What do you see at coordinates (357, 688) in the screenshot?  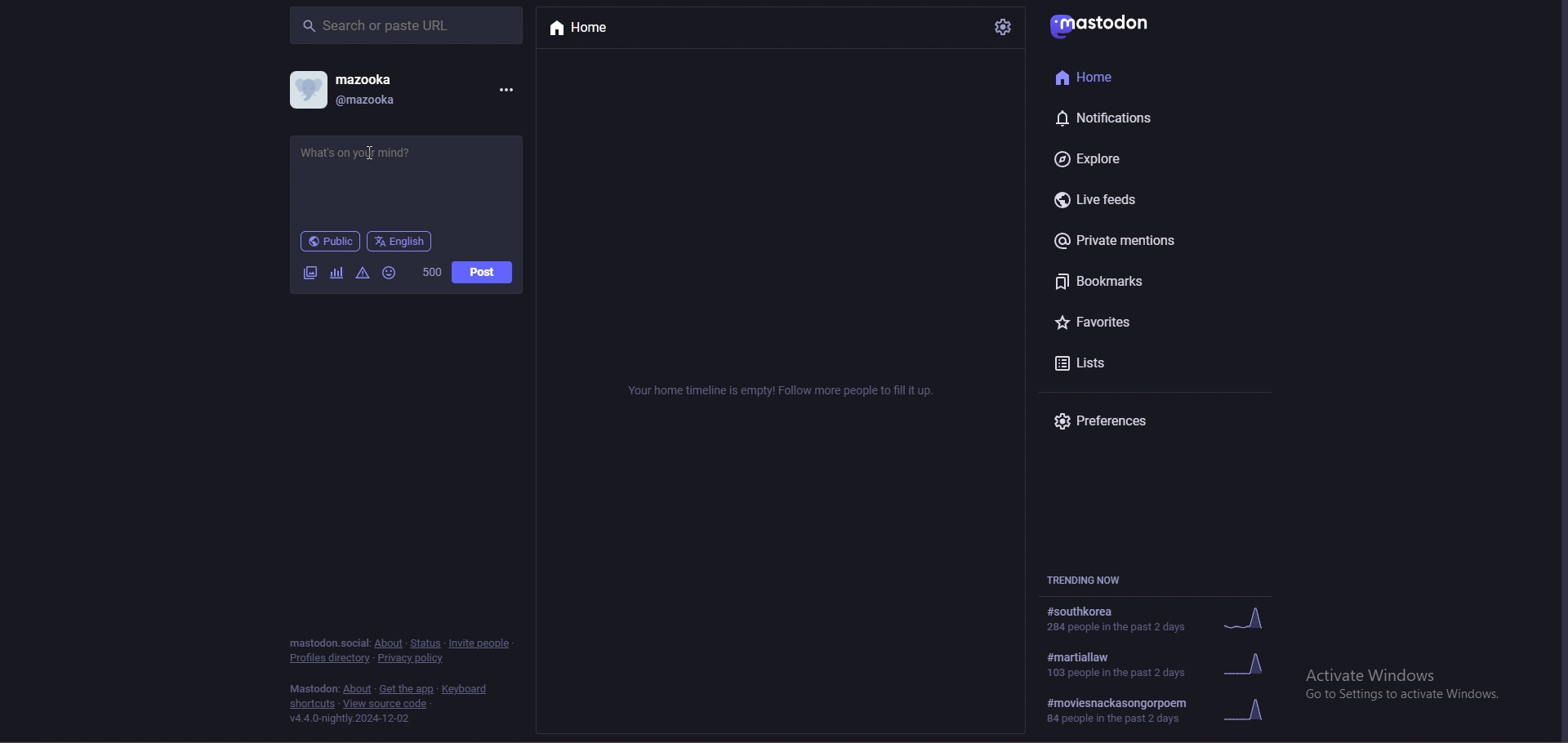 I see `about` at bounding box center [357, 688].